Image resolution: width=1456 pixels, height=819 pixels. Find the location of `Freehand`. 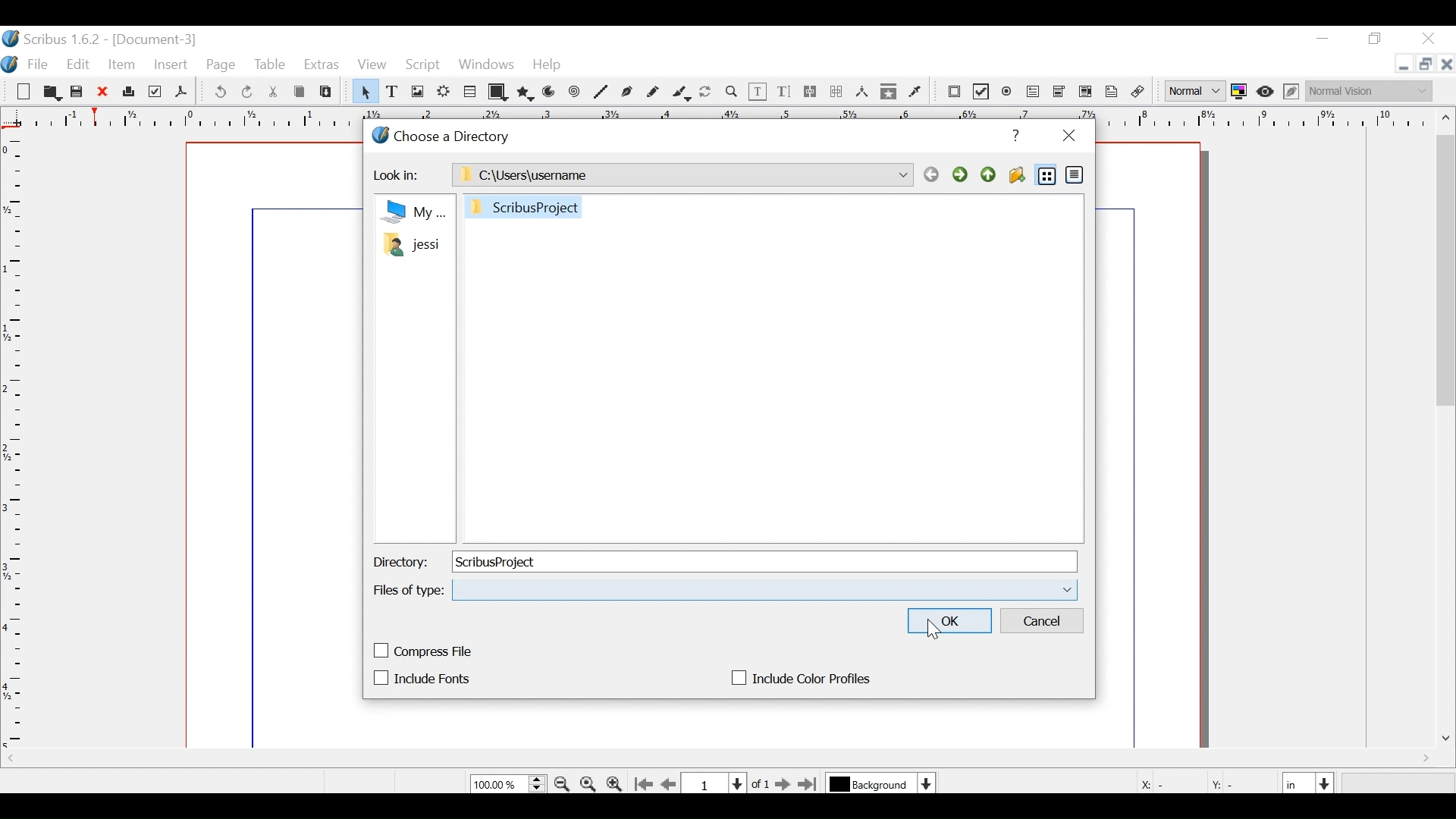

Freehand is located at coordinates (652, 93).